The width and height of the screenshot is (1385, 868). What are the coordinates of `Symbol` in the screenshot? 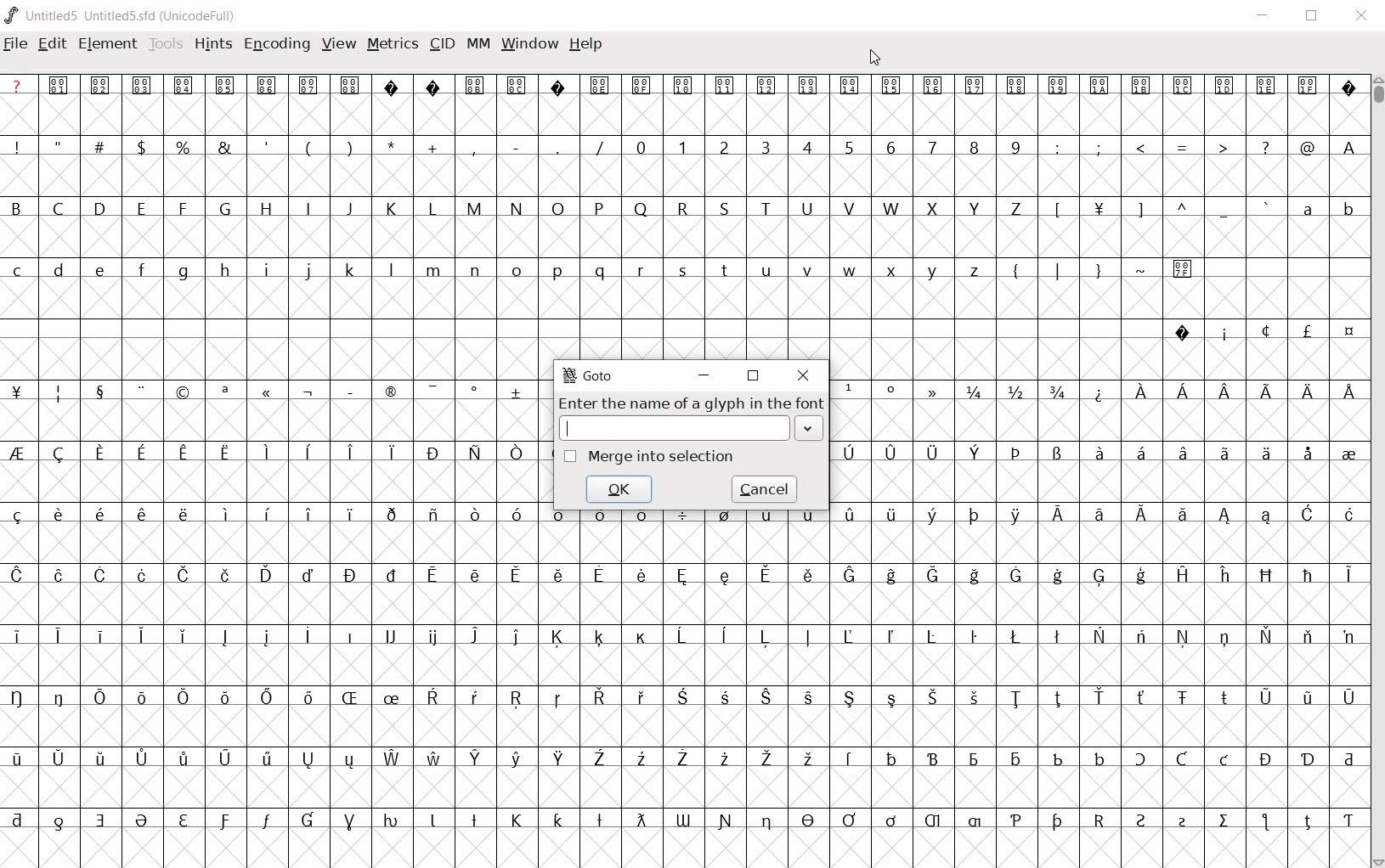 It's located at (142, 577).